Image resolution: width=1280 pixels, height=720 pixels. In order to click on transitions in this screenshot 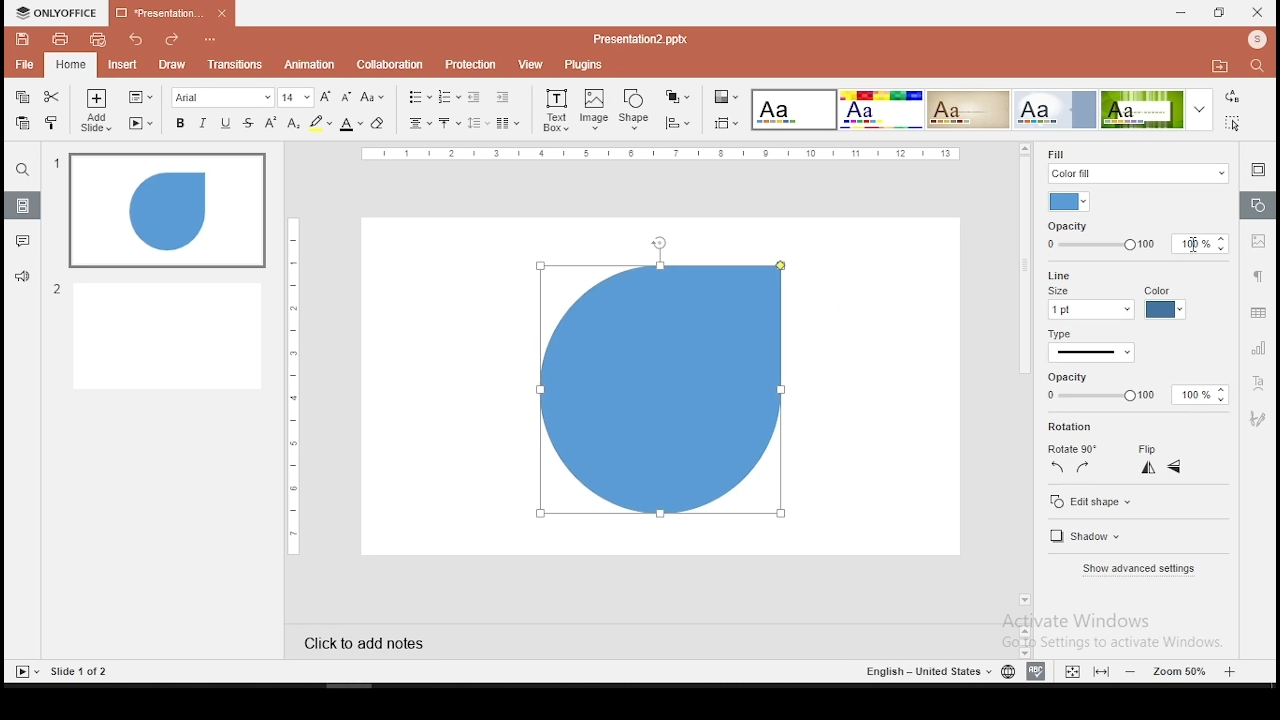, I will do `click(234, 64)`.